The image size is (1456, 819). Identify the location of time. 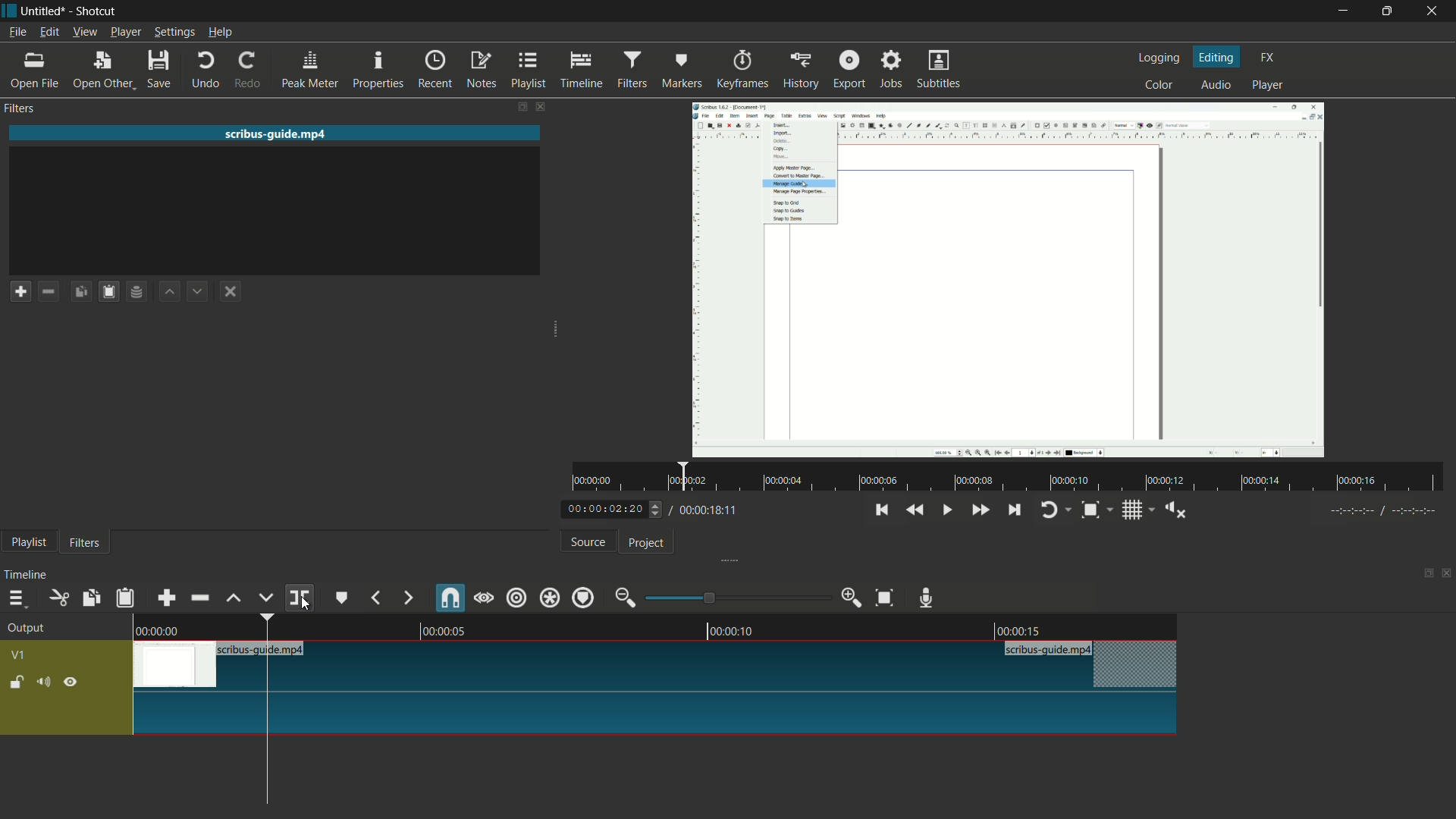
(1015, 478).